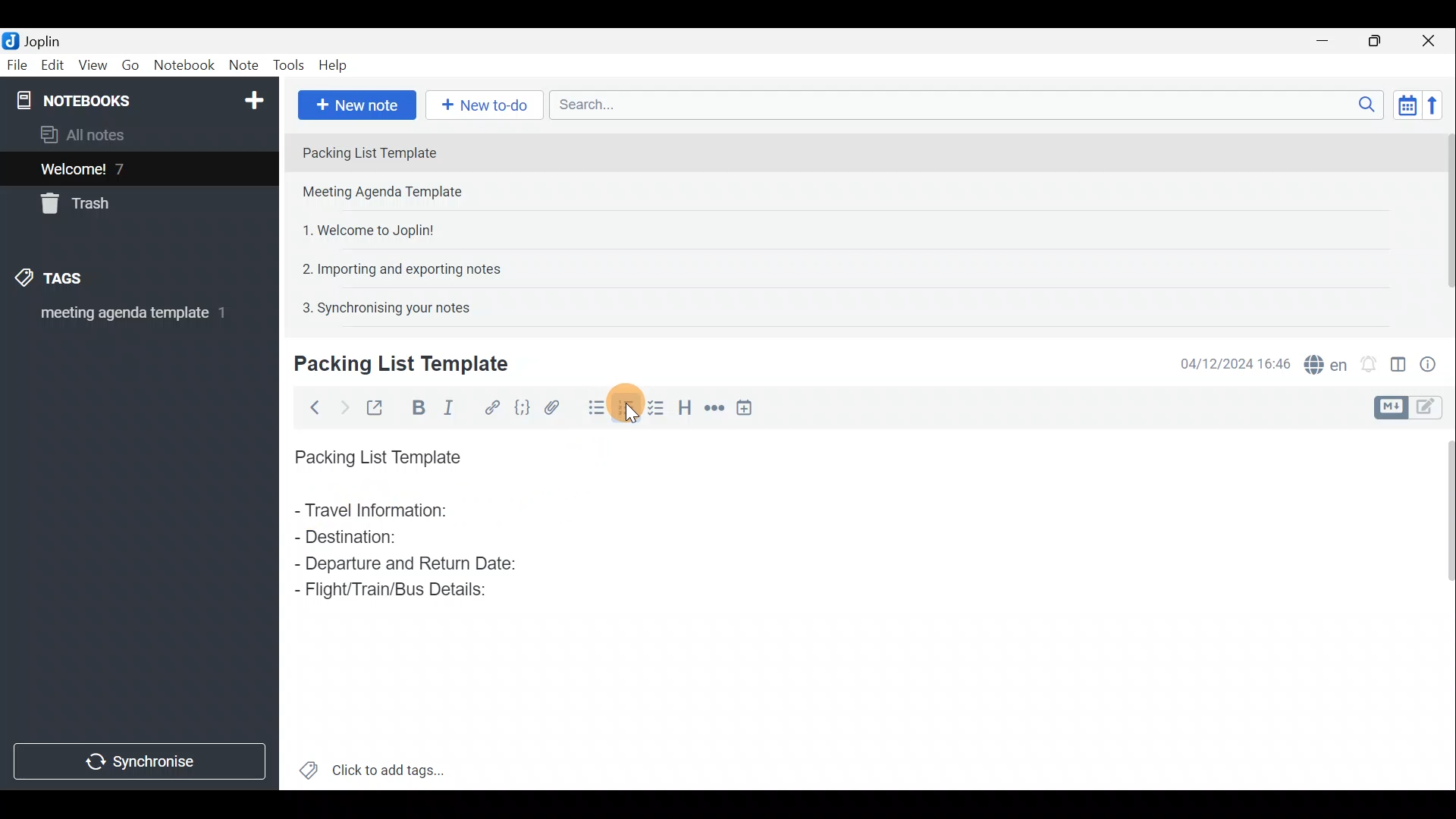 The width and height of the screenshot is (1456, 819). Describe the element at coordinates (385, 538) in the screenshot. I see `Destination:` at that location.